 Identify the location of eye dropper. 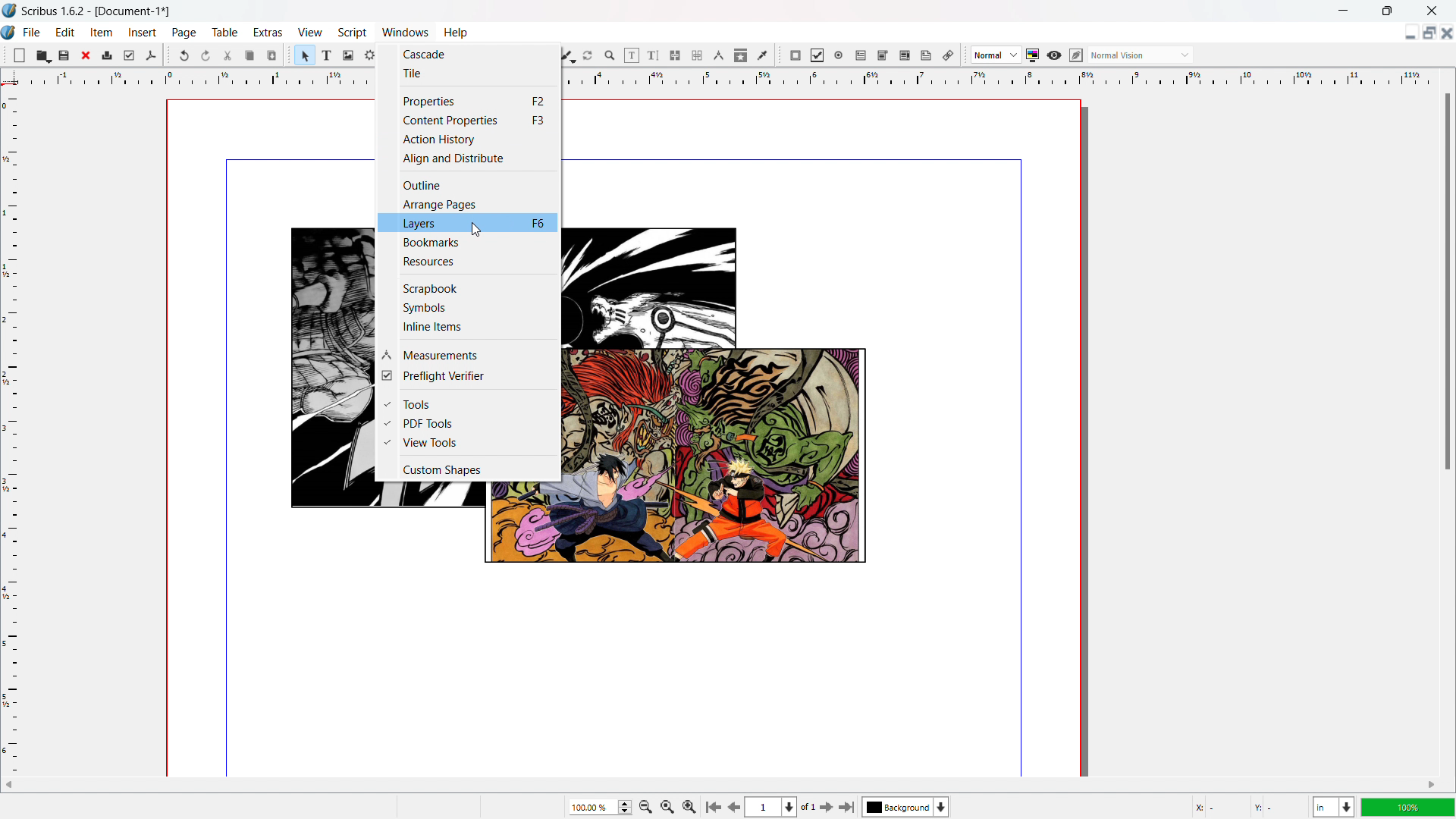
(762, 56).